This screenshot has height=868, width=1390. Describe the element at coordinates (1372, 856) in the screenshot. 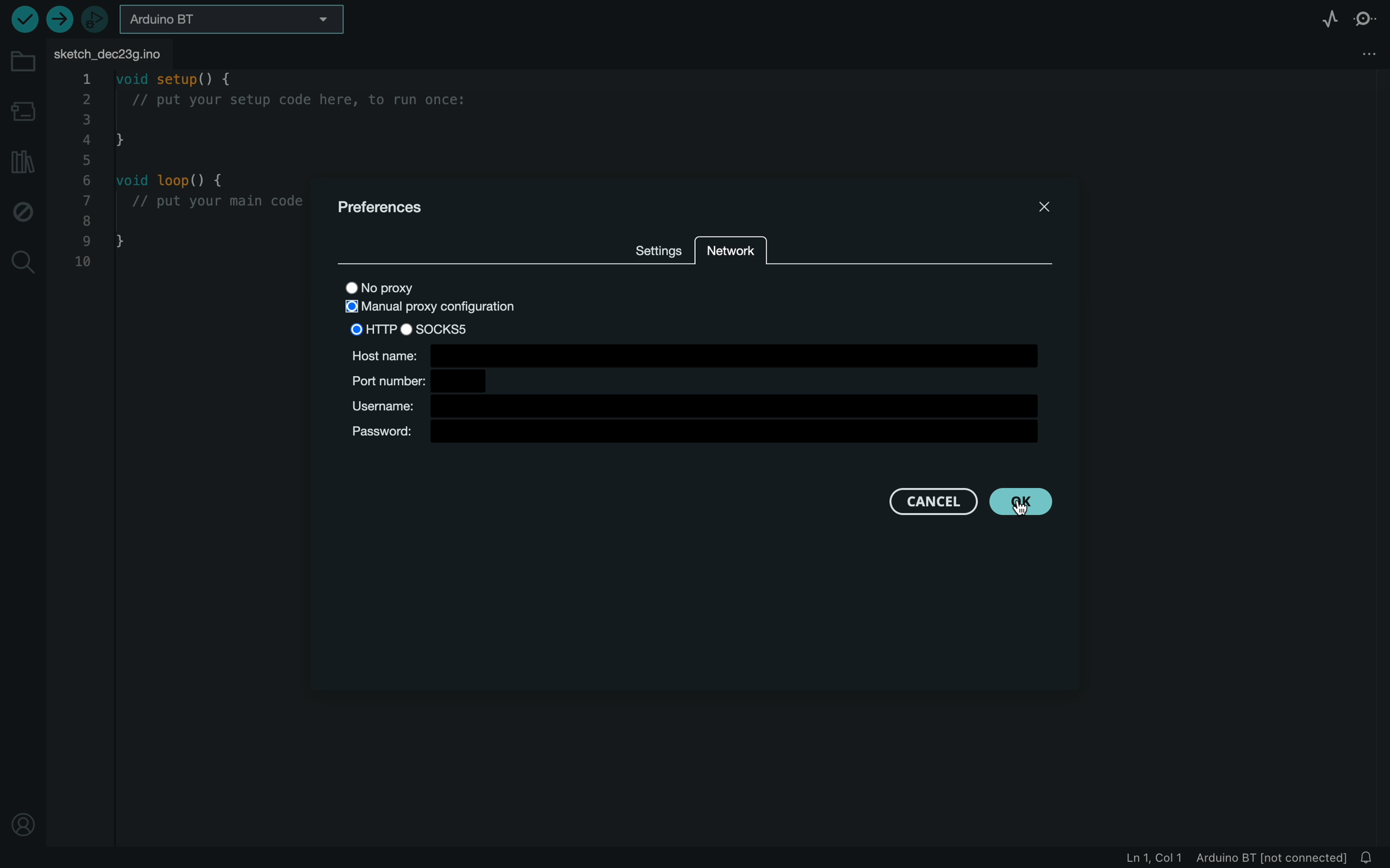

I see `notification` at that location.